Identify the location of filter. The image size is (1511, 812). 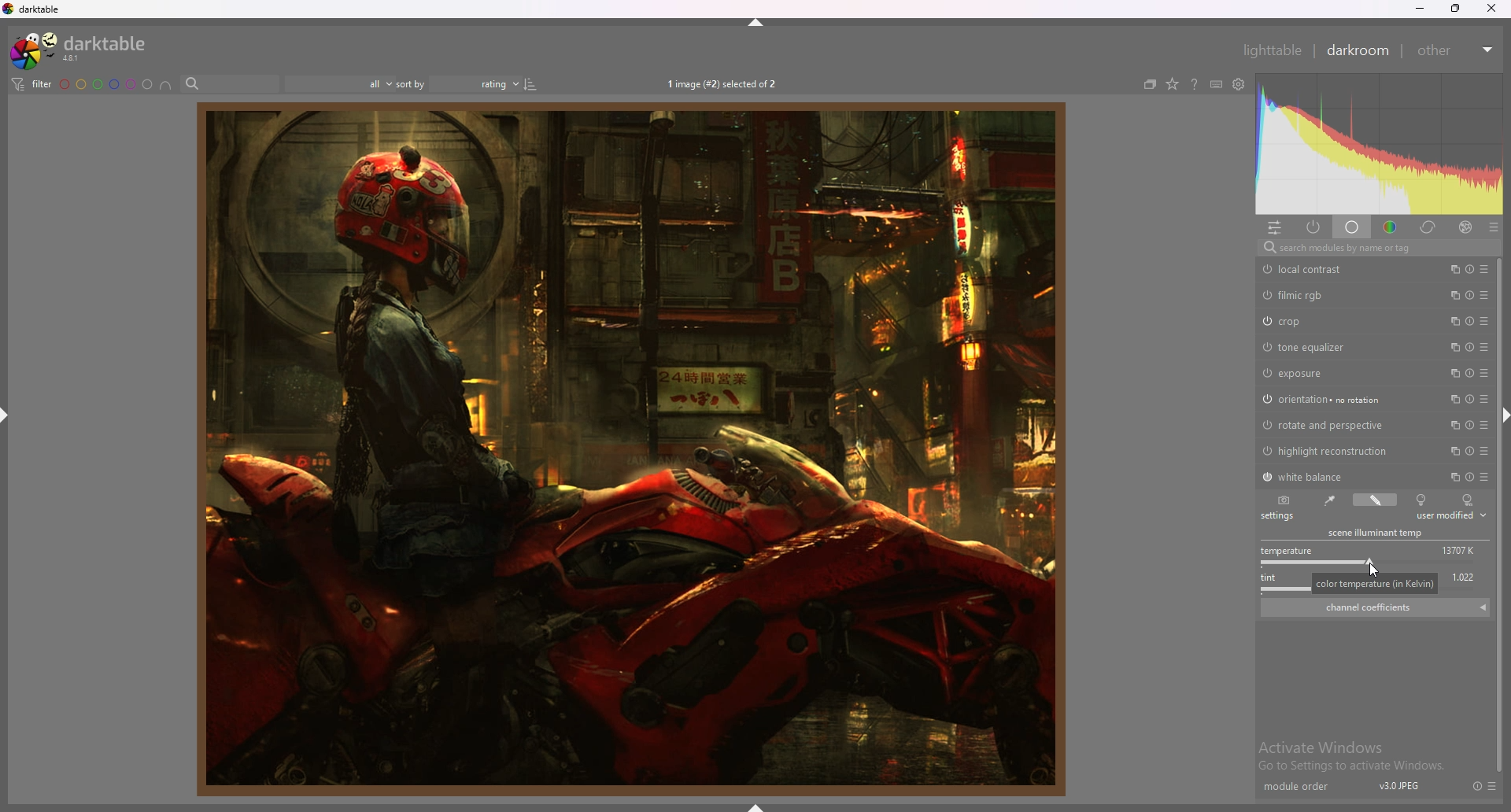
(31, 84).